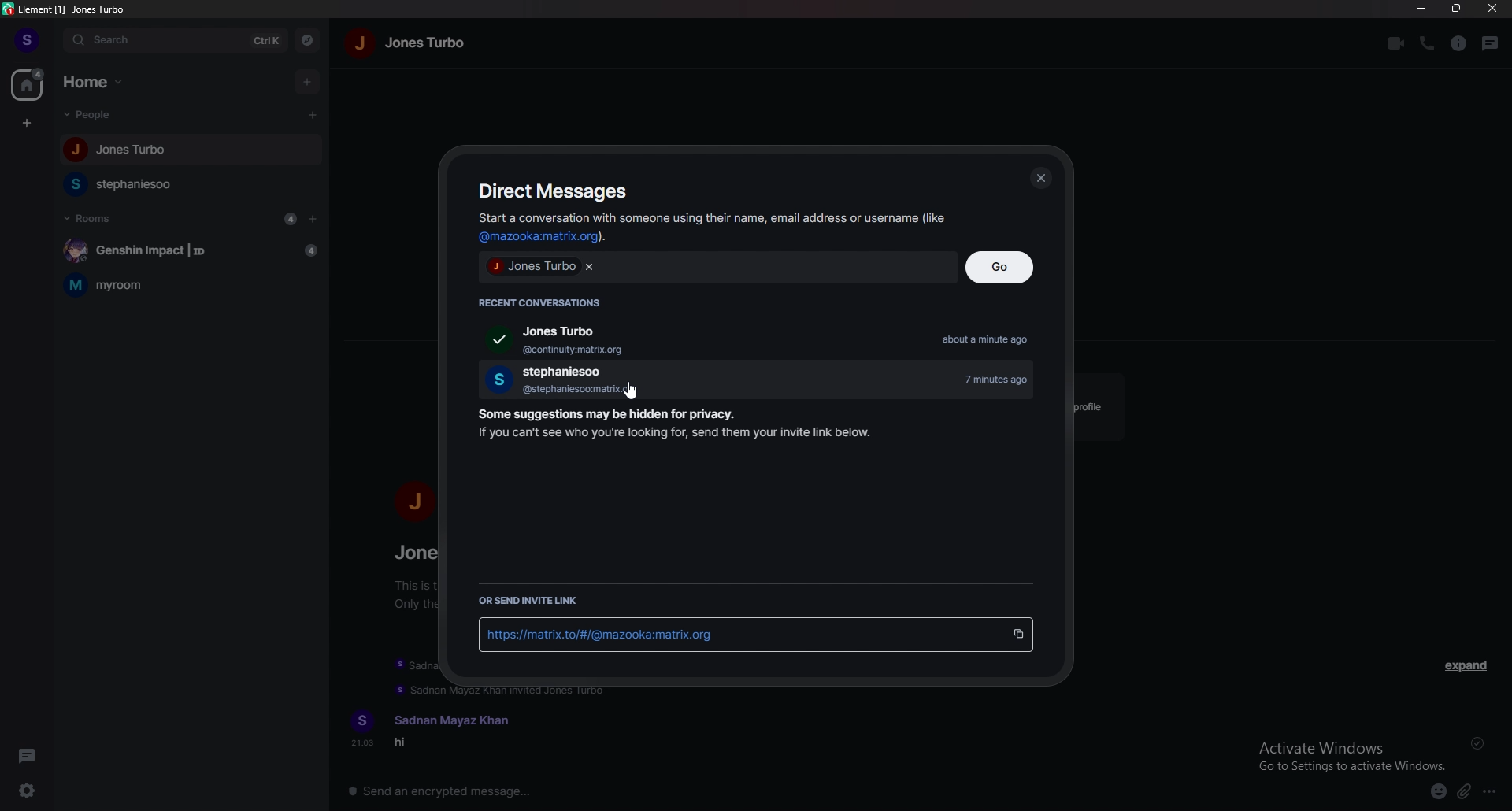  What do you see at coordinates (98, 82) in the screenshot?
I see `home` at bounding box center [98, 82].